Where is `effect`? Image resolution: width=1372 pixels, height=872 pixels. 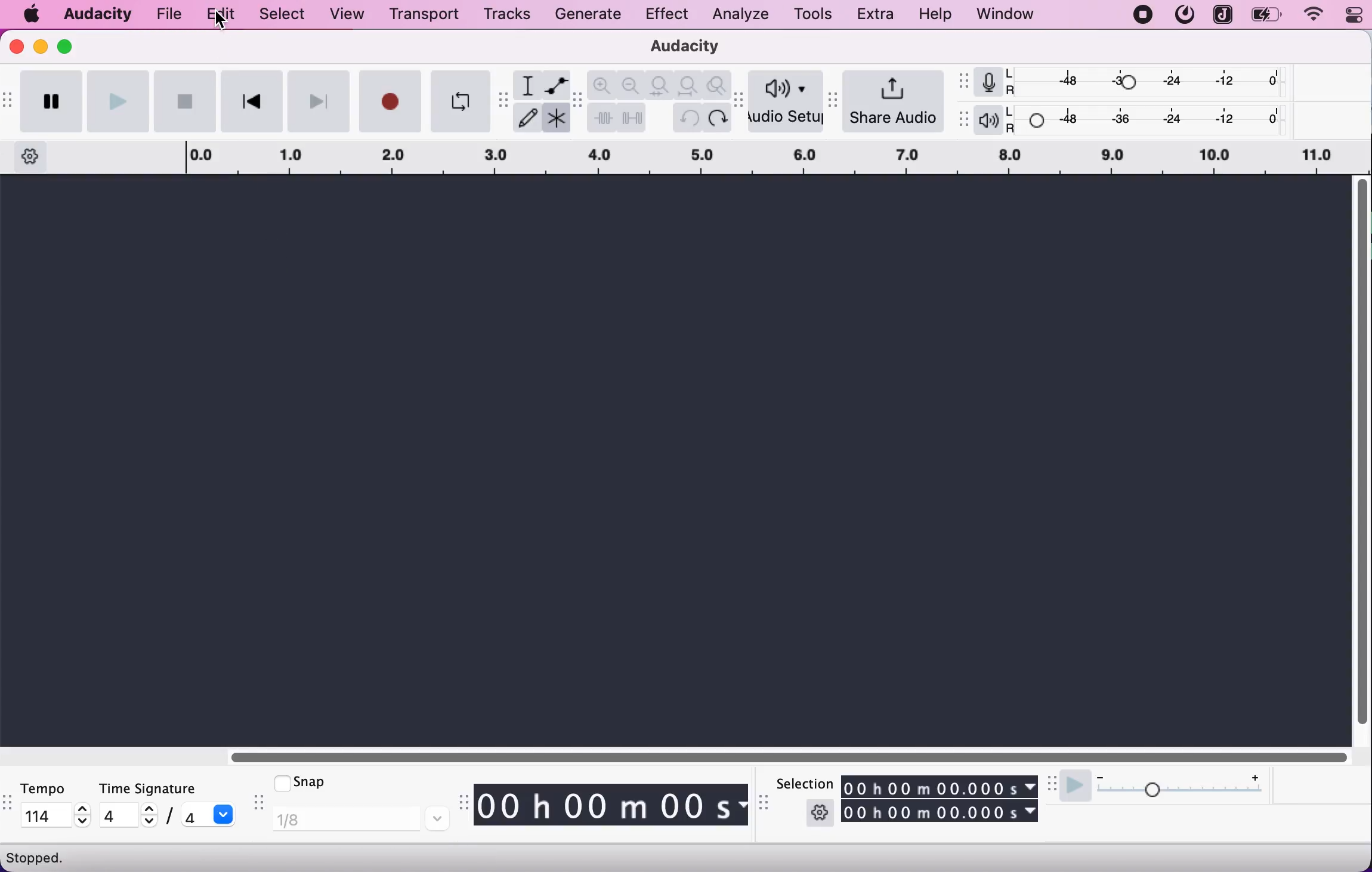 effect is located at coordinates (667, 16).